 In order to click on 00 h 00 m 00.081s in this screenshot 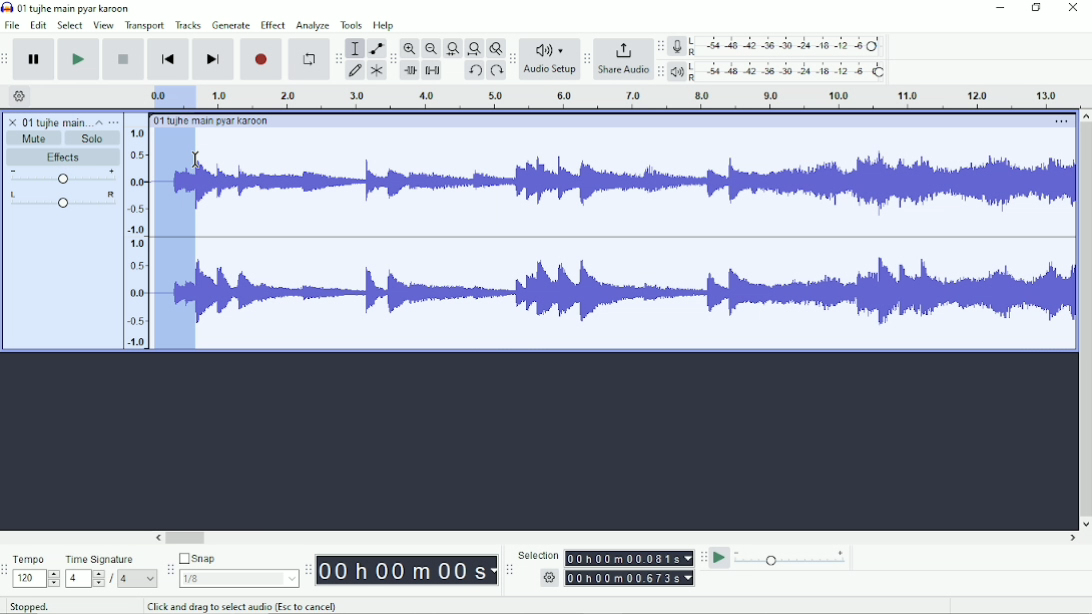, I will do `click(628, 558)`.